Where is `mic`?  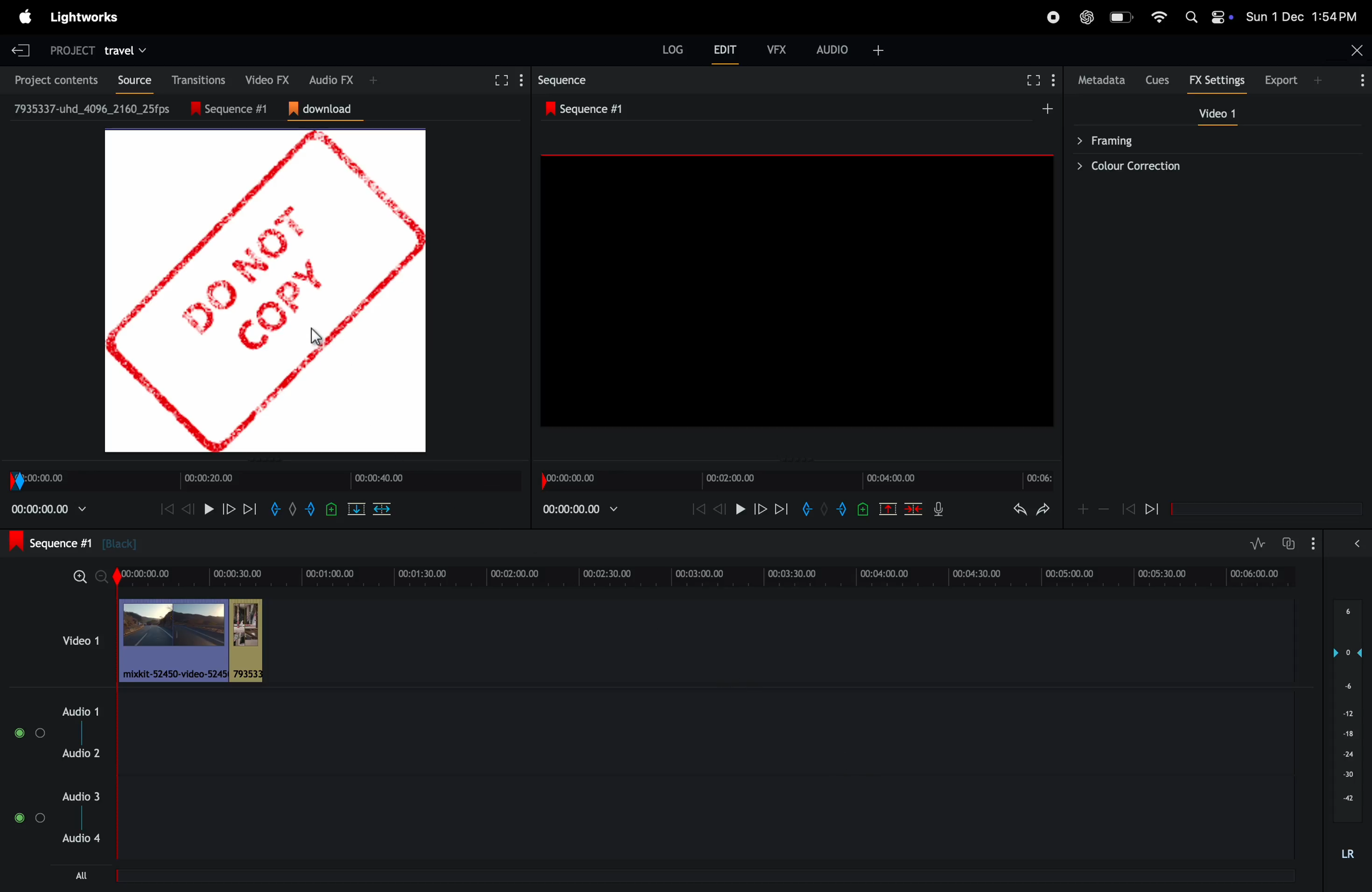 mic is located at coordinates (938, 508).